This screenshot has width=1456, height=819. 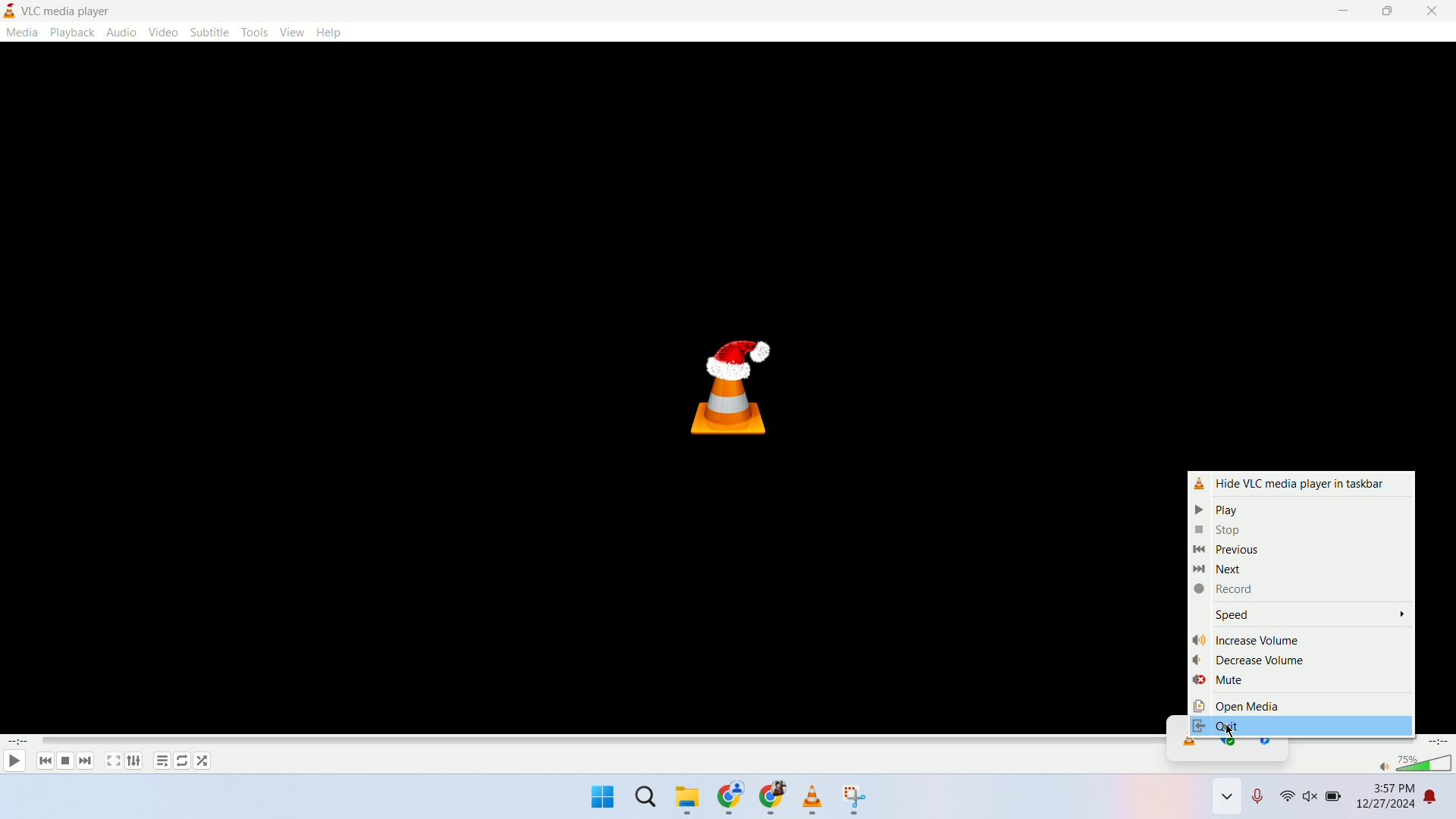 I want to click on application icon, so click(x=11, y=11).